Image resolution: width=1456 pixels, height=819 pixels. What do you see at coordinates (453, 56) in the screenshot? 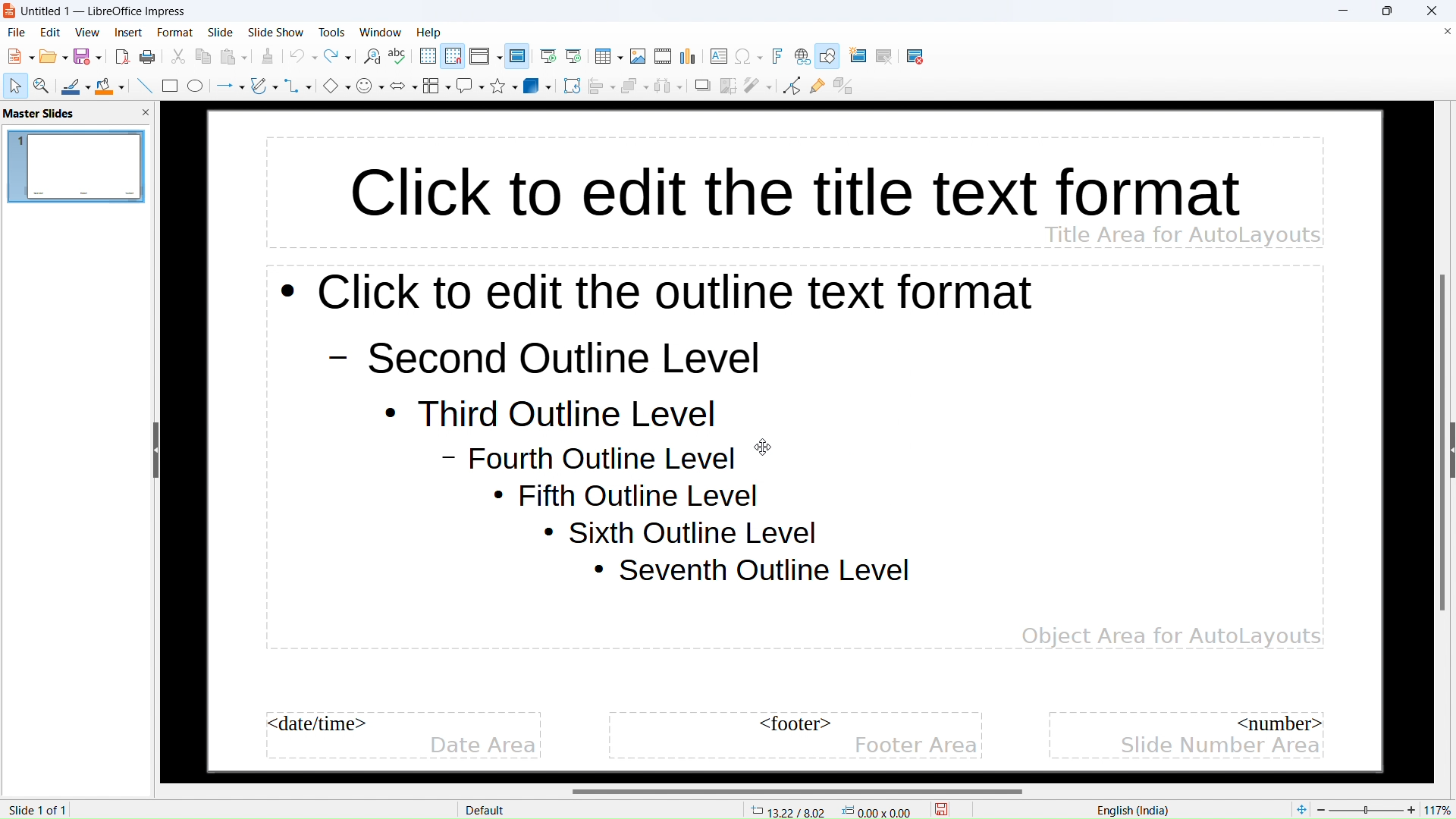
I see `snap to grid` at bounding box center [453, 56].